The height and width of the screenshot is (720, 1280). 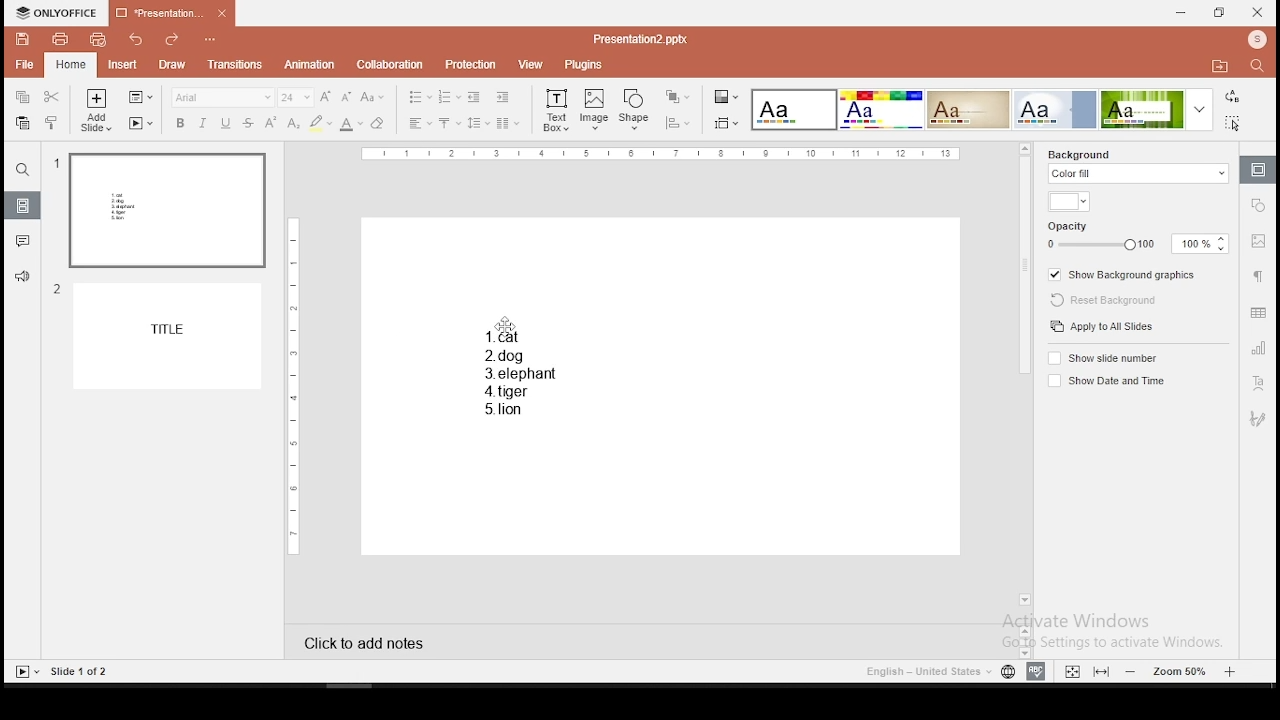 What do you see at coordinates (232, 66) in the screenshot?
I see `transitions` at bounding box center [232, 66].